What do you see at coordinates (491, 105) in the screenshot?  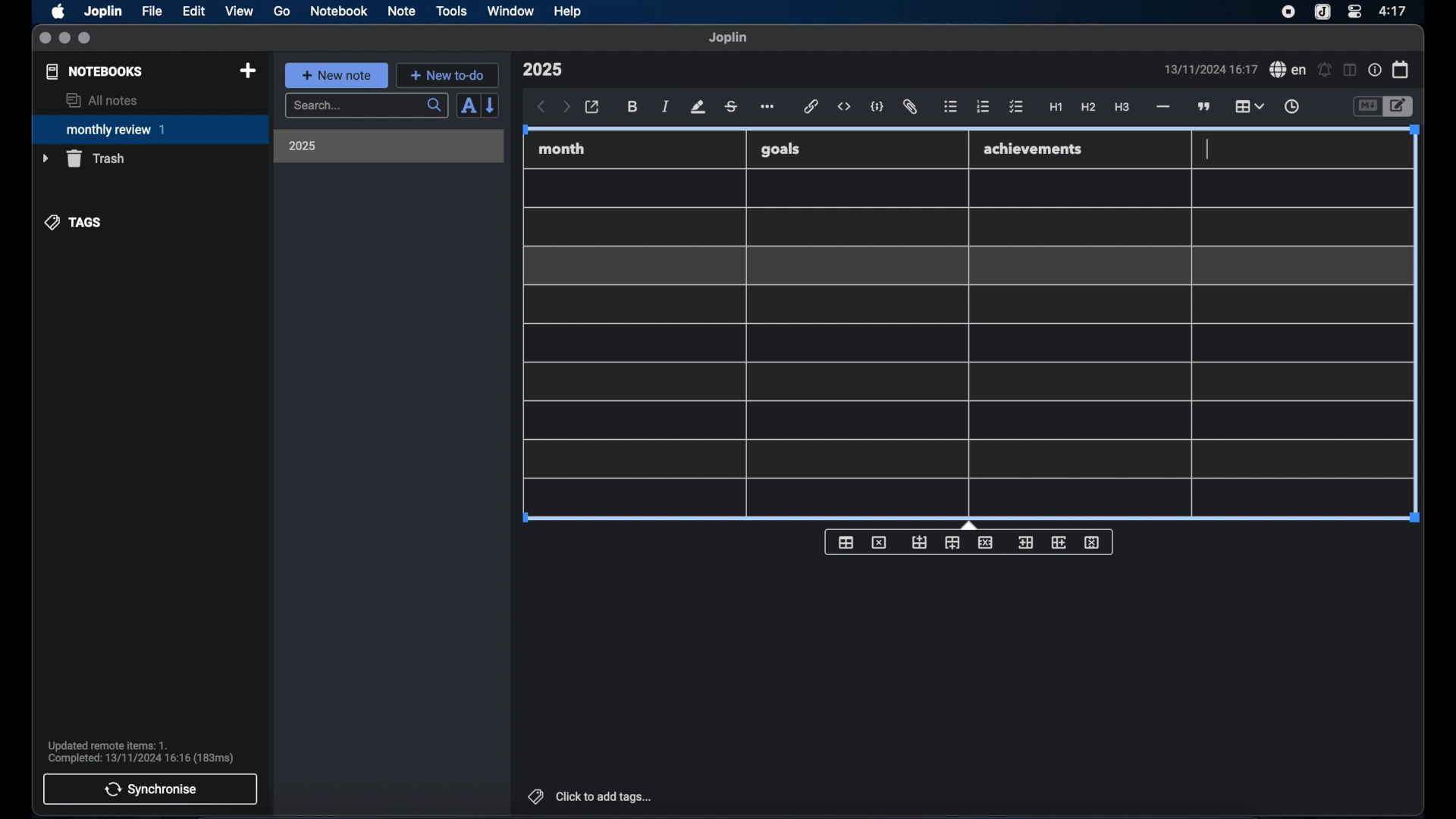 I see `reverse sort order` at bounding box center [491, 105].